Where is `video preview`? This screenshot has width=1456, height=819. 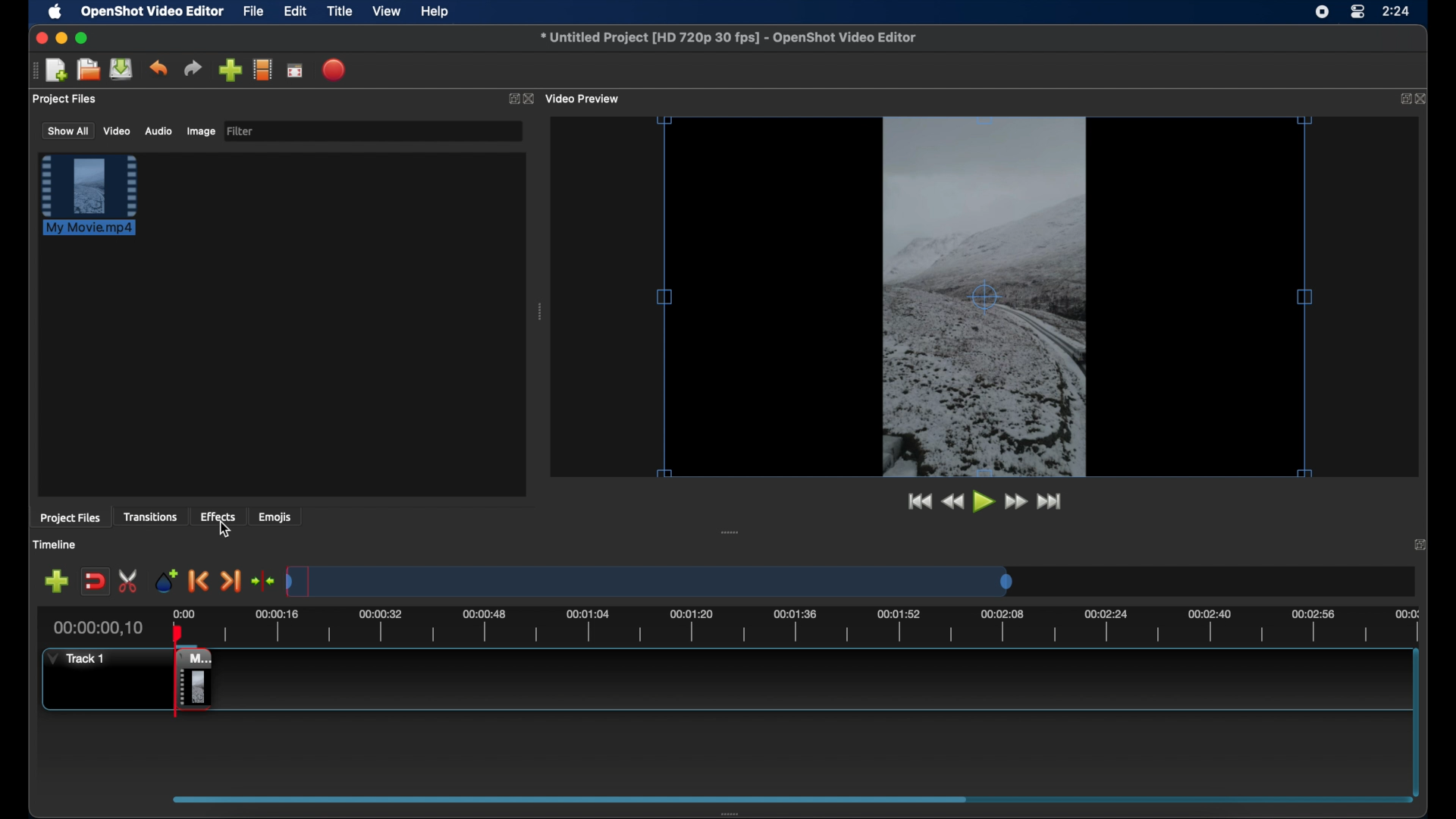 video preview is located at coordinates (584, 98).